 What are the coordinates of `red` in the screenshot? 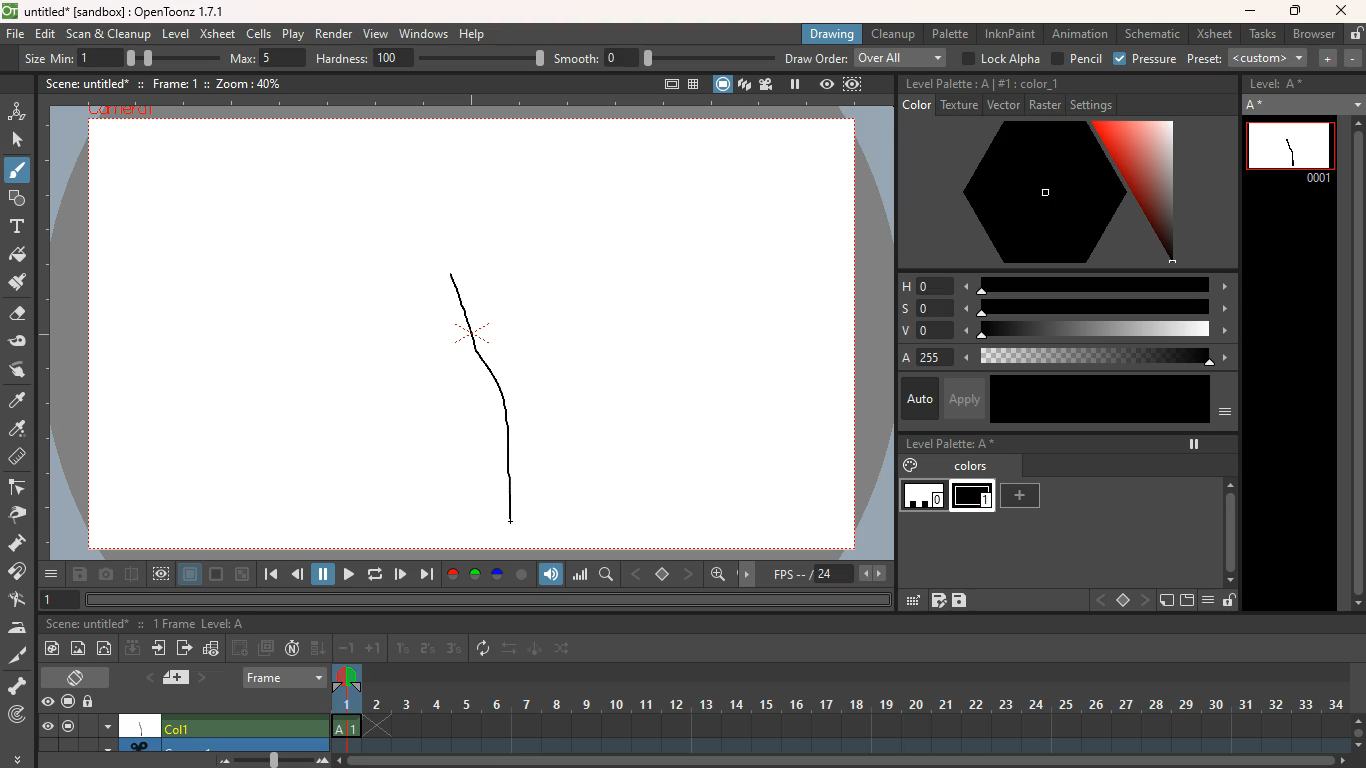 It's located at (452, 574).